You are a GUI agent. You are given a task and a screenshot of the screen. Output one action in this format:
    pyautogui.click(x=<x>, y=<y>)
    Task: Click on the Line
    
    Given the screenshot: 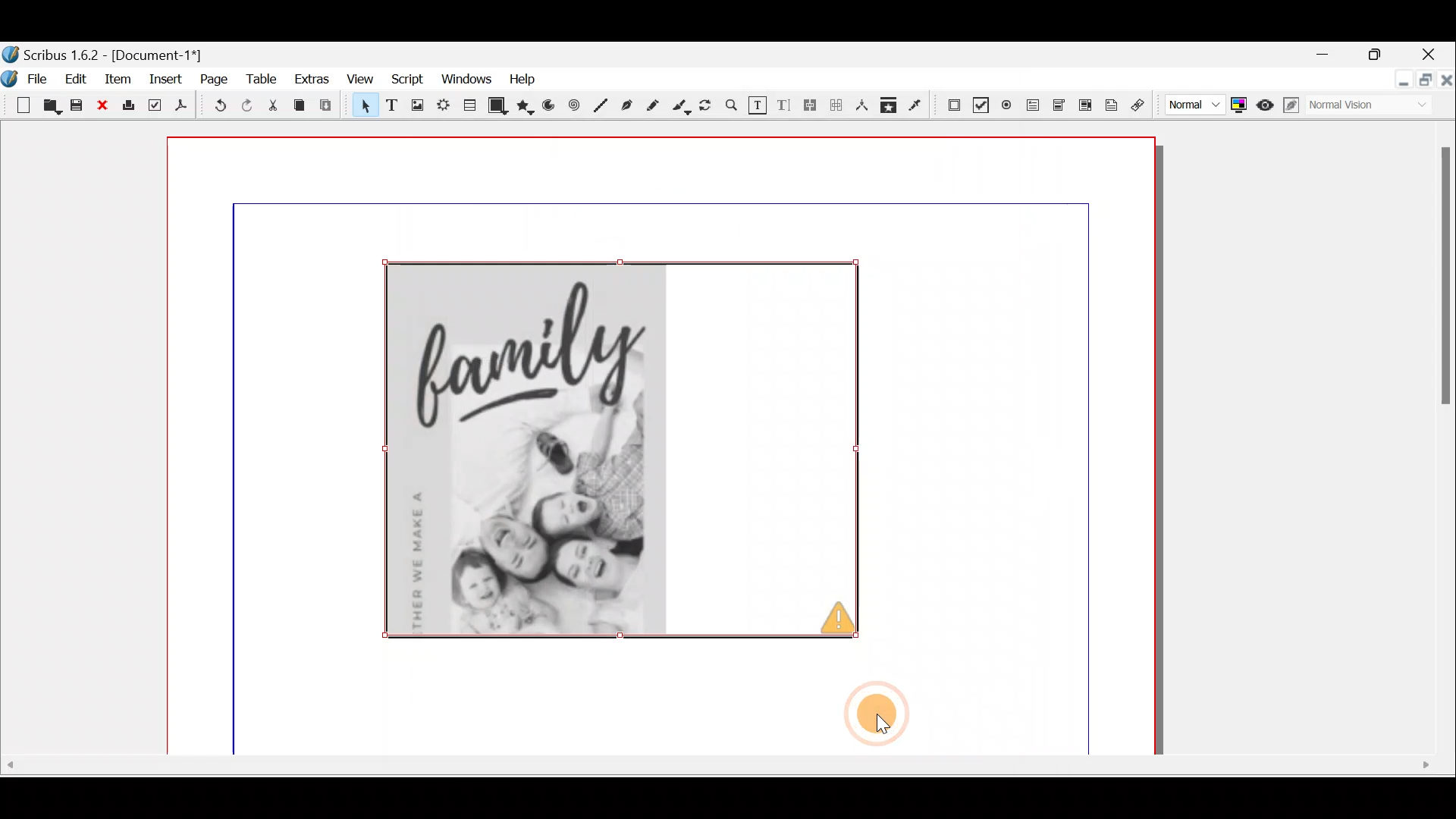 What is the action you would take?
    pyautogui.click(x=597, y=105)
    